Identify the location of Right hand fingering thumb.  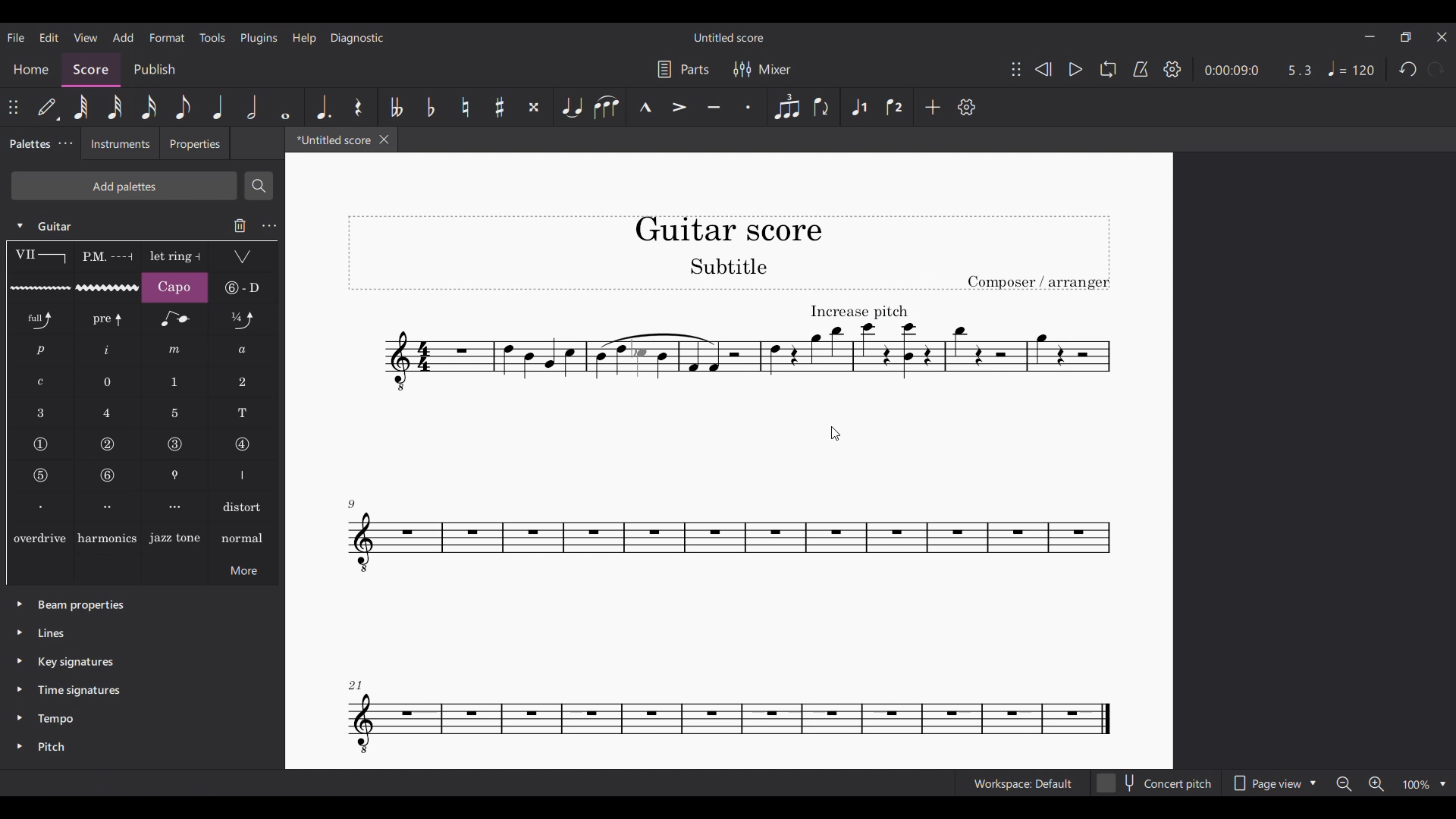
(243, 475).